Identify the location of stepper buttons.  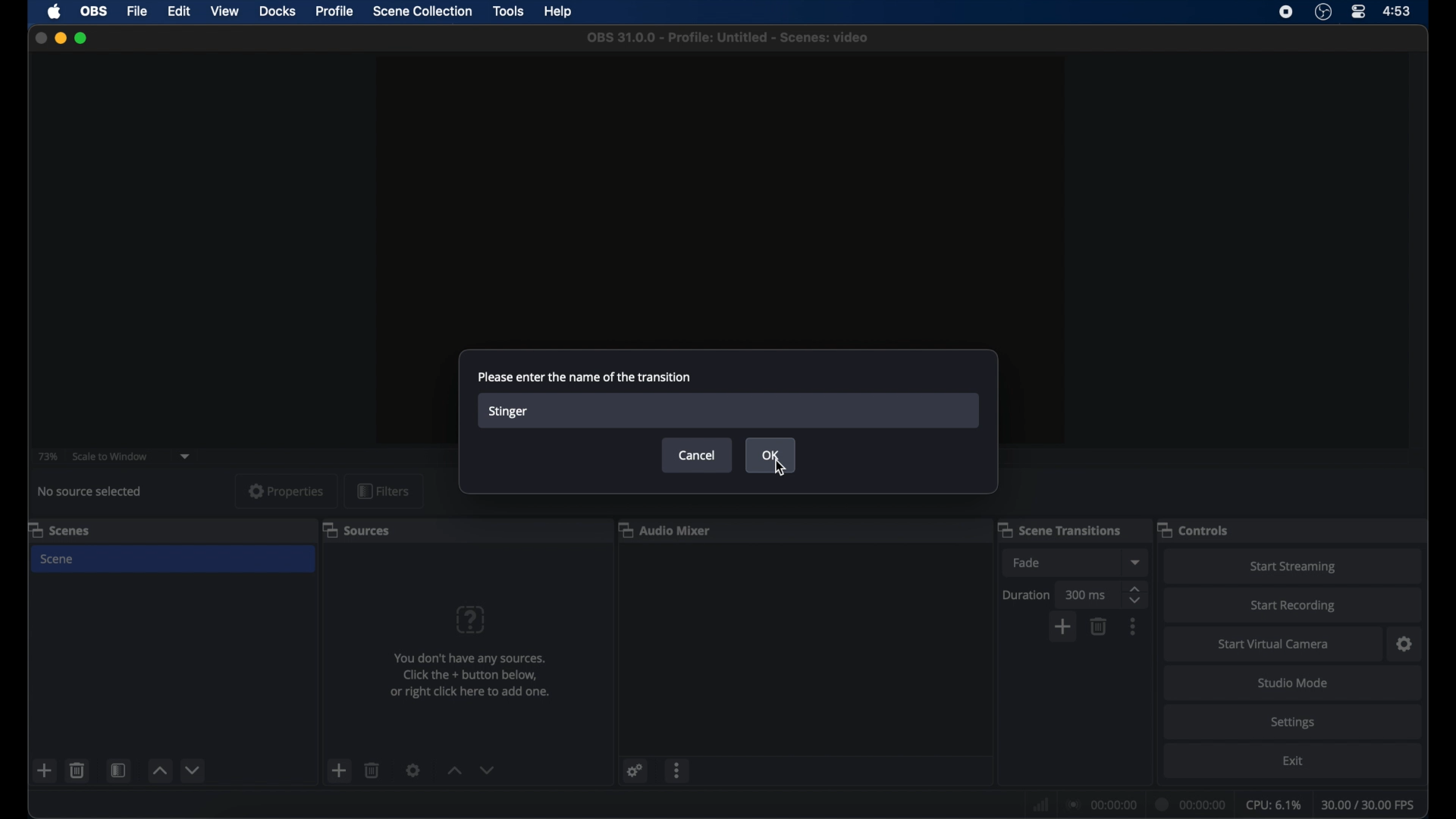
(1136, 595).